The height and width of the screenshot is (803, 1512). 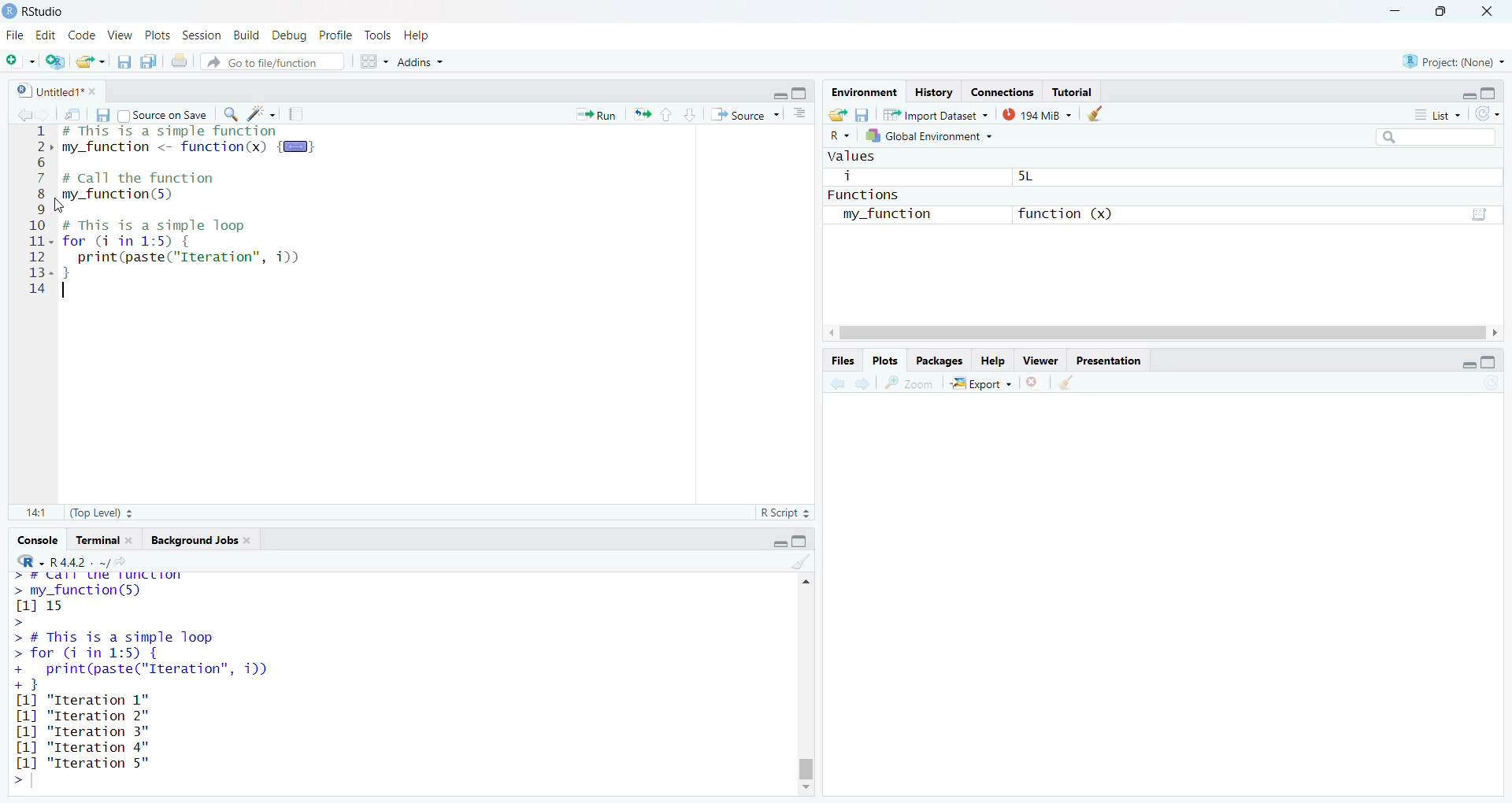 What do you see at coordinates (850, 176) in the screenshot?
I see `i` at bounding box center [850, 176].